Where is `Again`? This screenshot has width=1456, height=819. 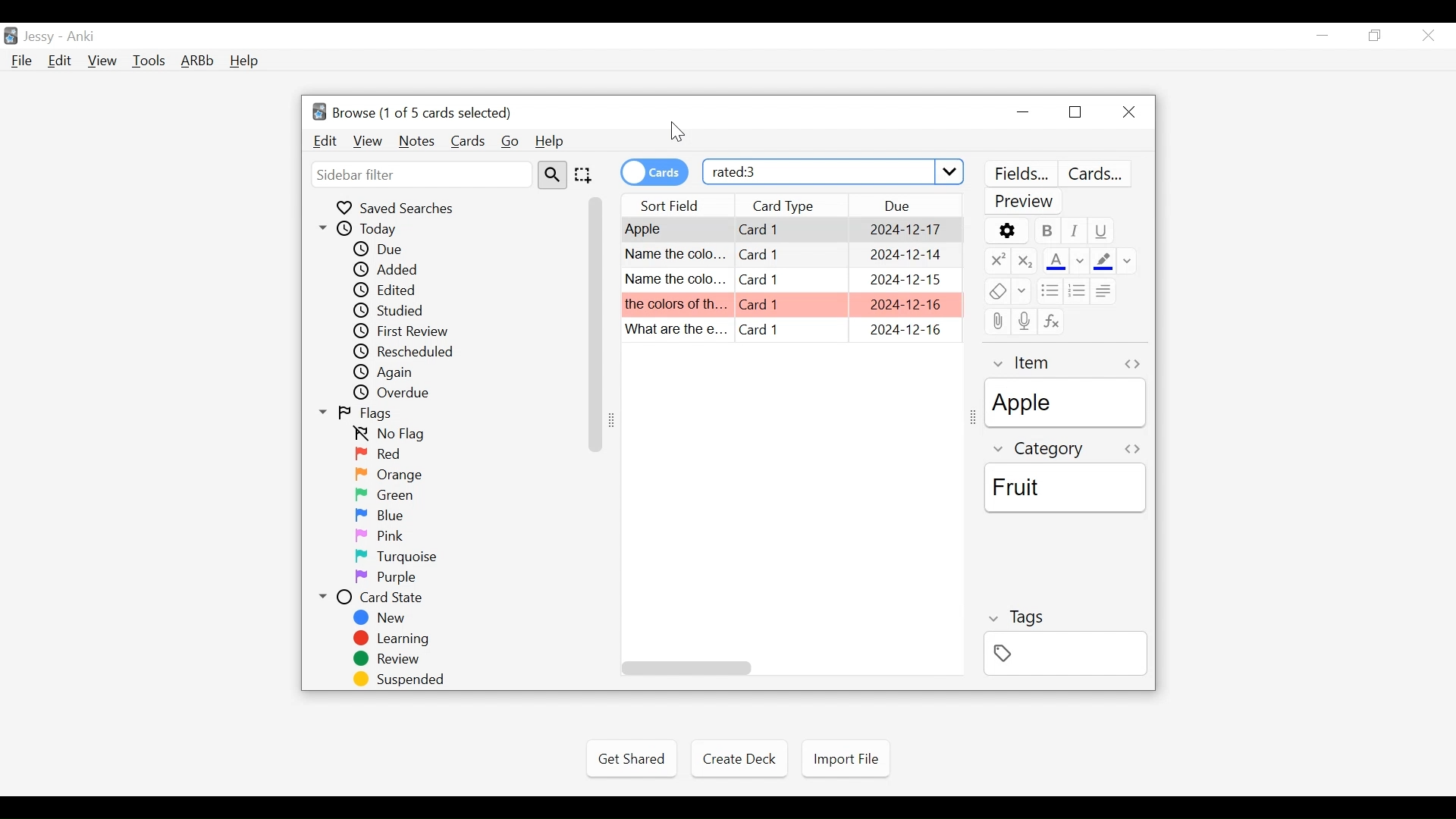 Again is located at coordinates (392, 374).